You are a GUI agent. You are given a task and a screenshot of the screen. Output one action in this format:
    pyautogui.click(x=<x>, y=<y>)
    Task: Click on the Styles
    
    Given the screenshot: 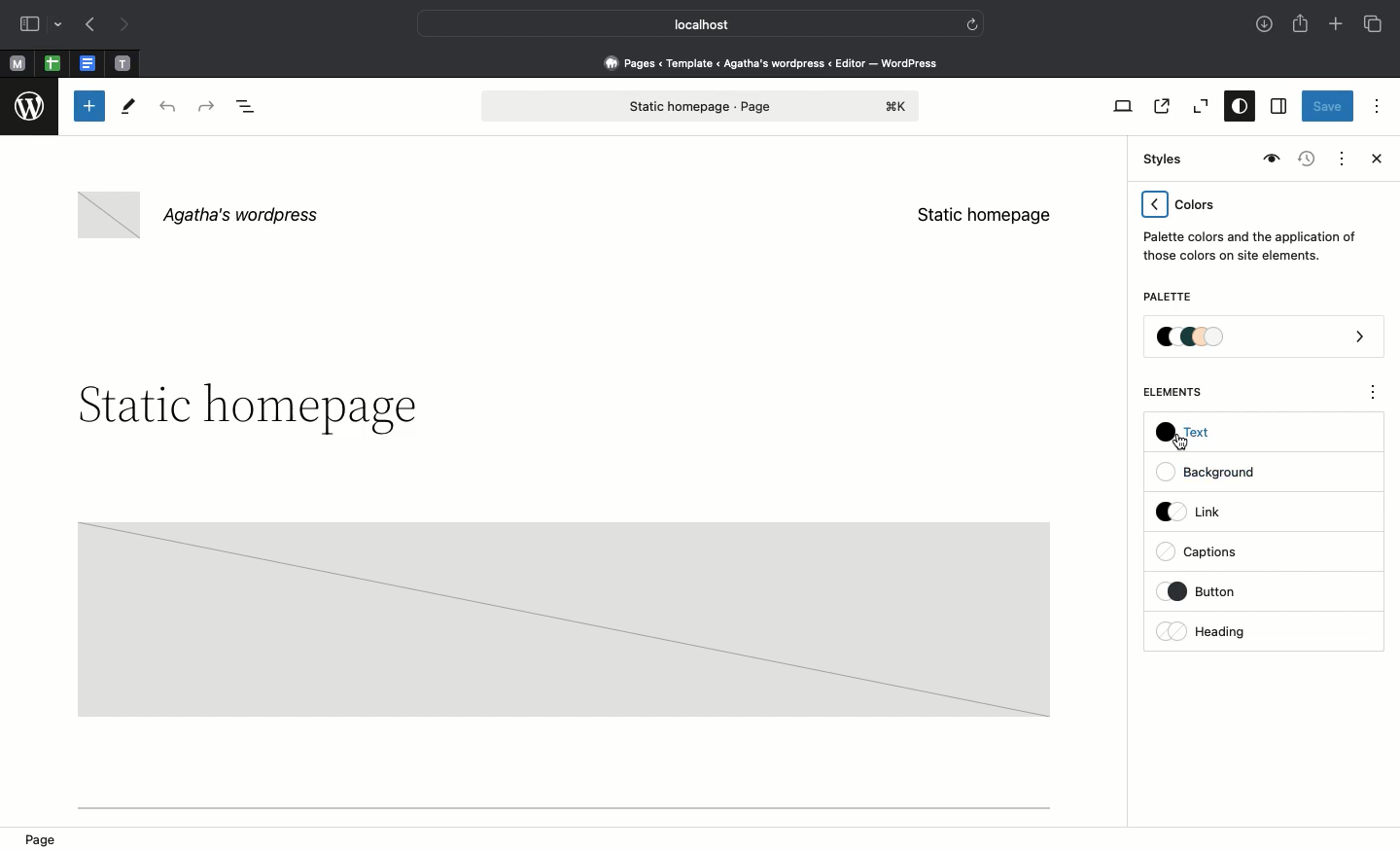 What is the action you would take?
    pyautogui.click(x=1235, y=108)
    